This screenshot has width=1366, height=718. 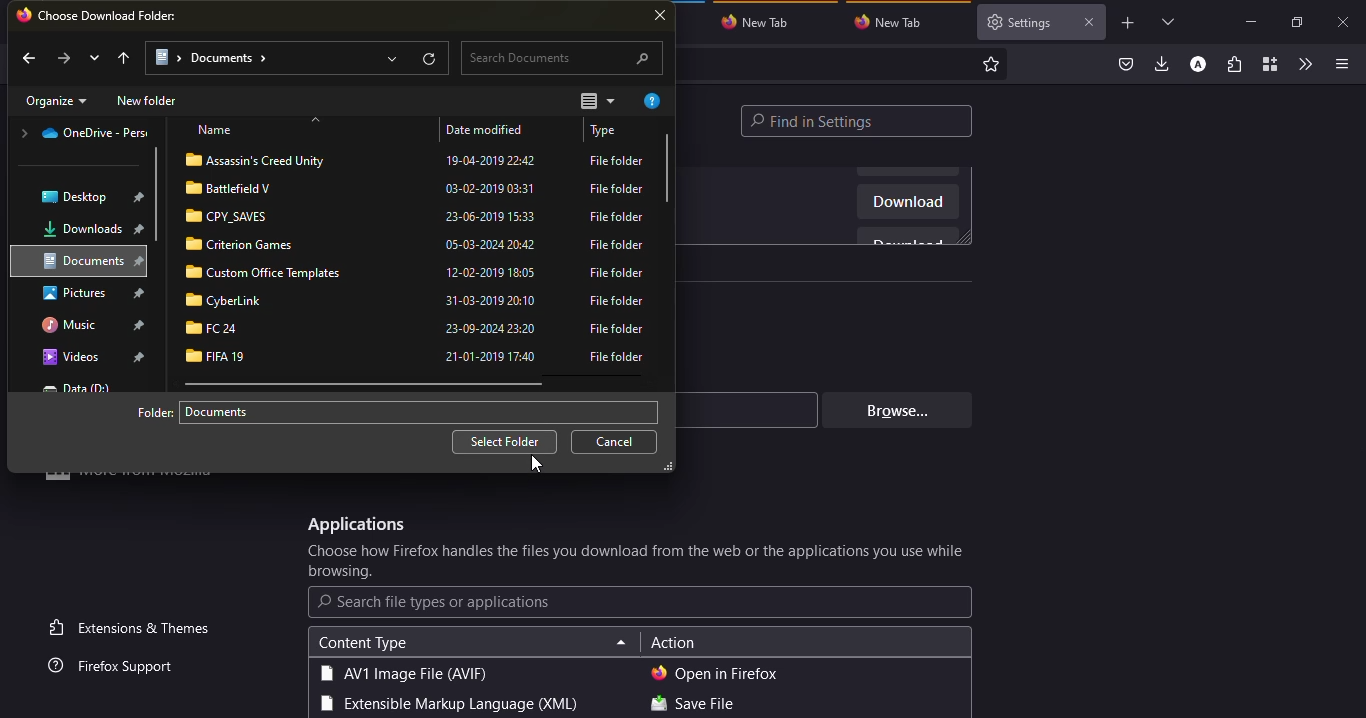 What do you see at coordinates (127, 57) in the screenshot?
I see `go up` at bounding box center [127, 57].